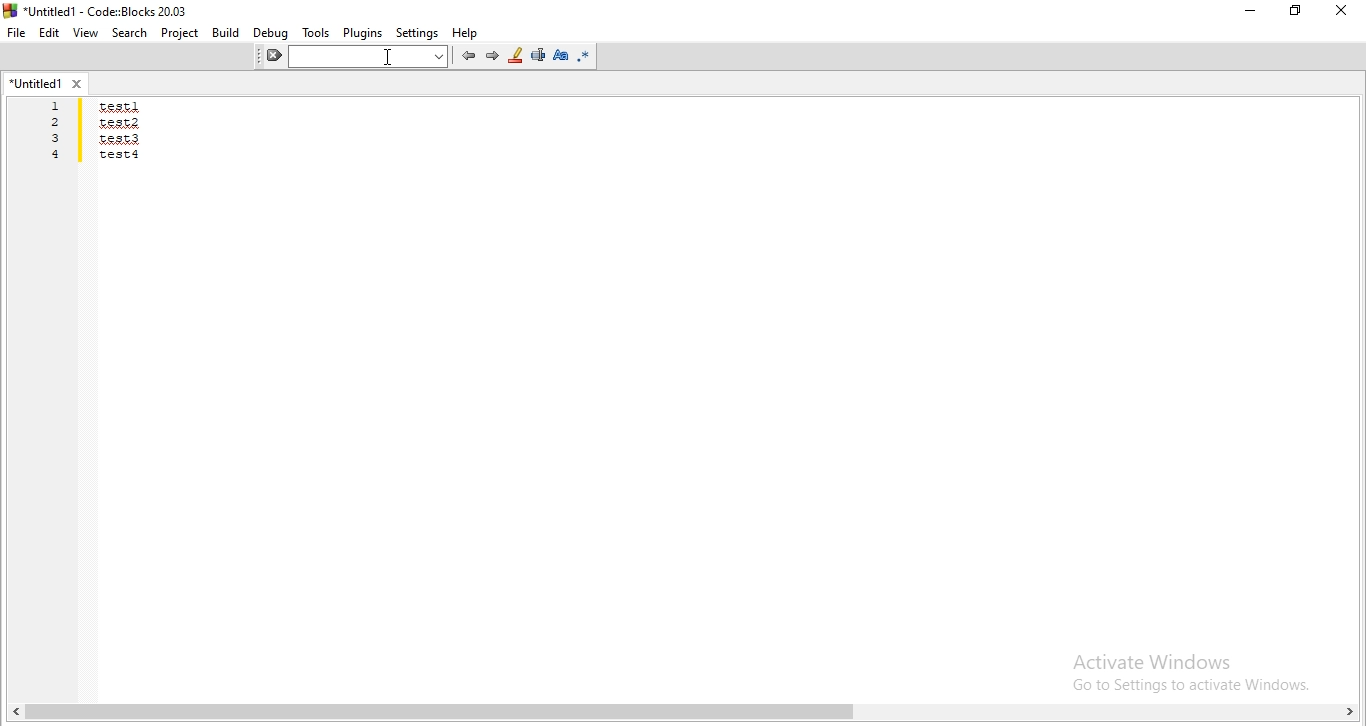  Describe the element at coordinates (33, 83) in the screenshot. I see `Untitled1` at that location.